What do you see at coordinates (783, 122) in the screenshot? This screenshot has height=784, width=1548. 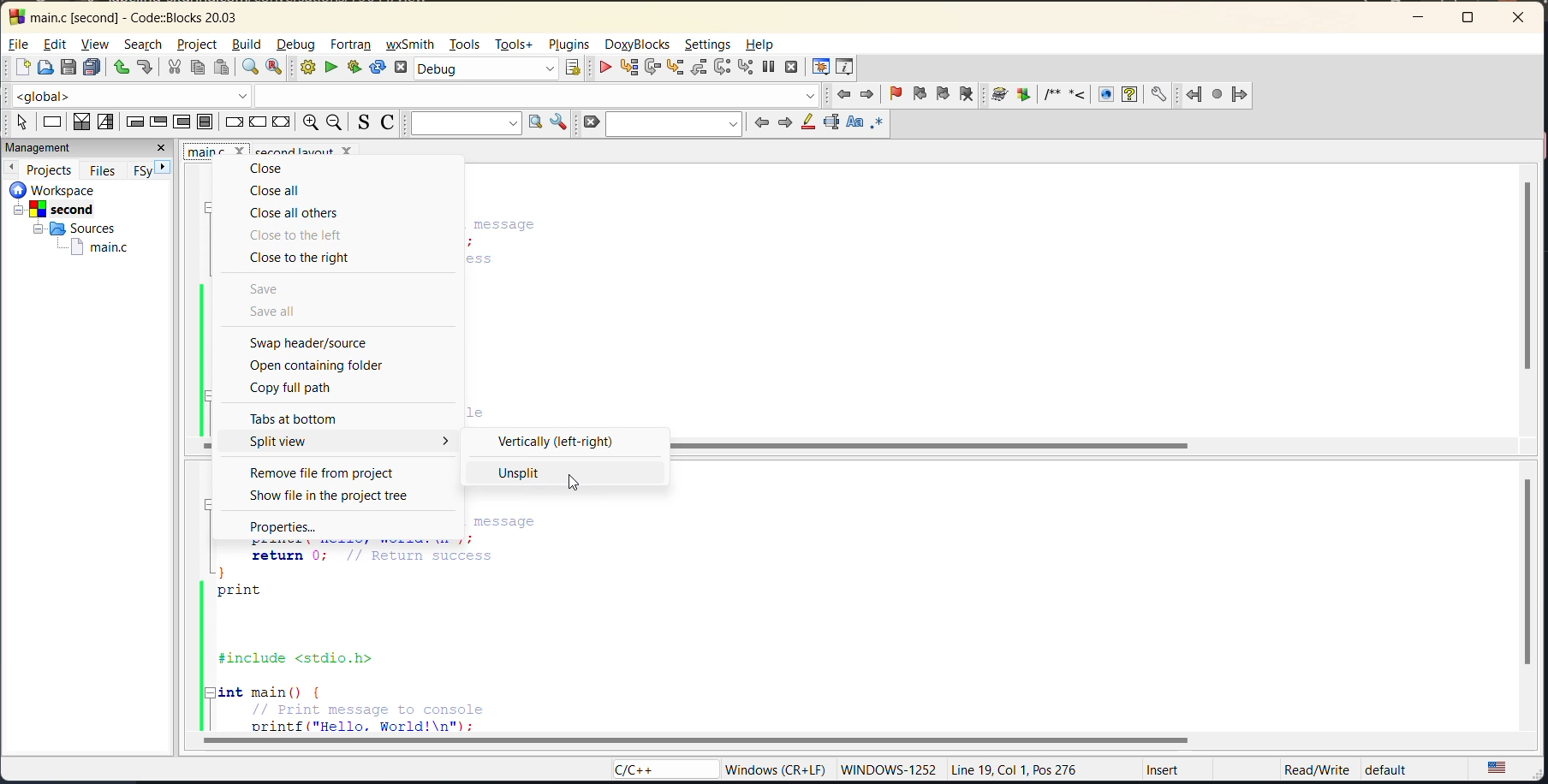 I see `next` at bounding box center [783, 122].